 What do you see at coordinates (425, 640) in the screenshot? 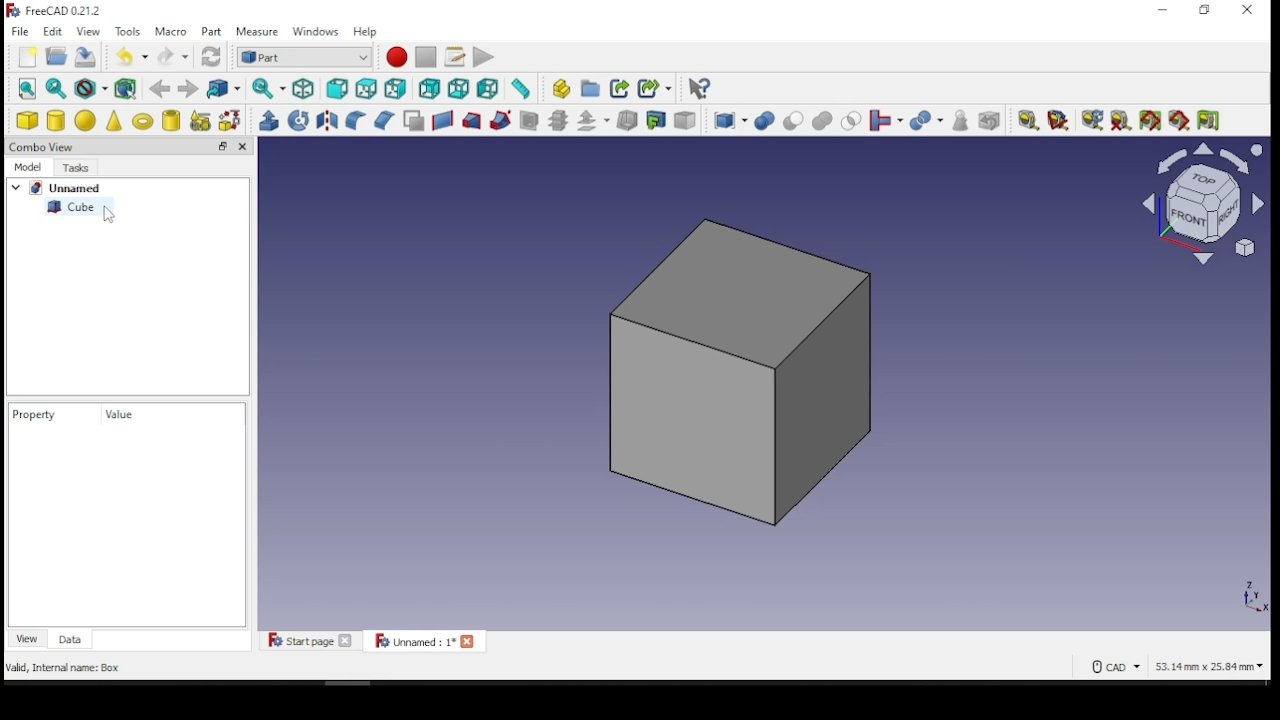
I see `unnamed: 1` at bounding box center [425, 640].